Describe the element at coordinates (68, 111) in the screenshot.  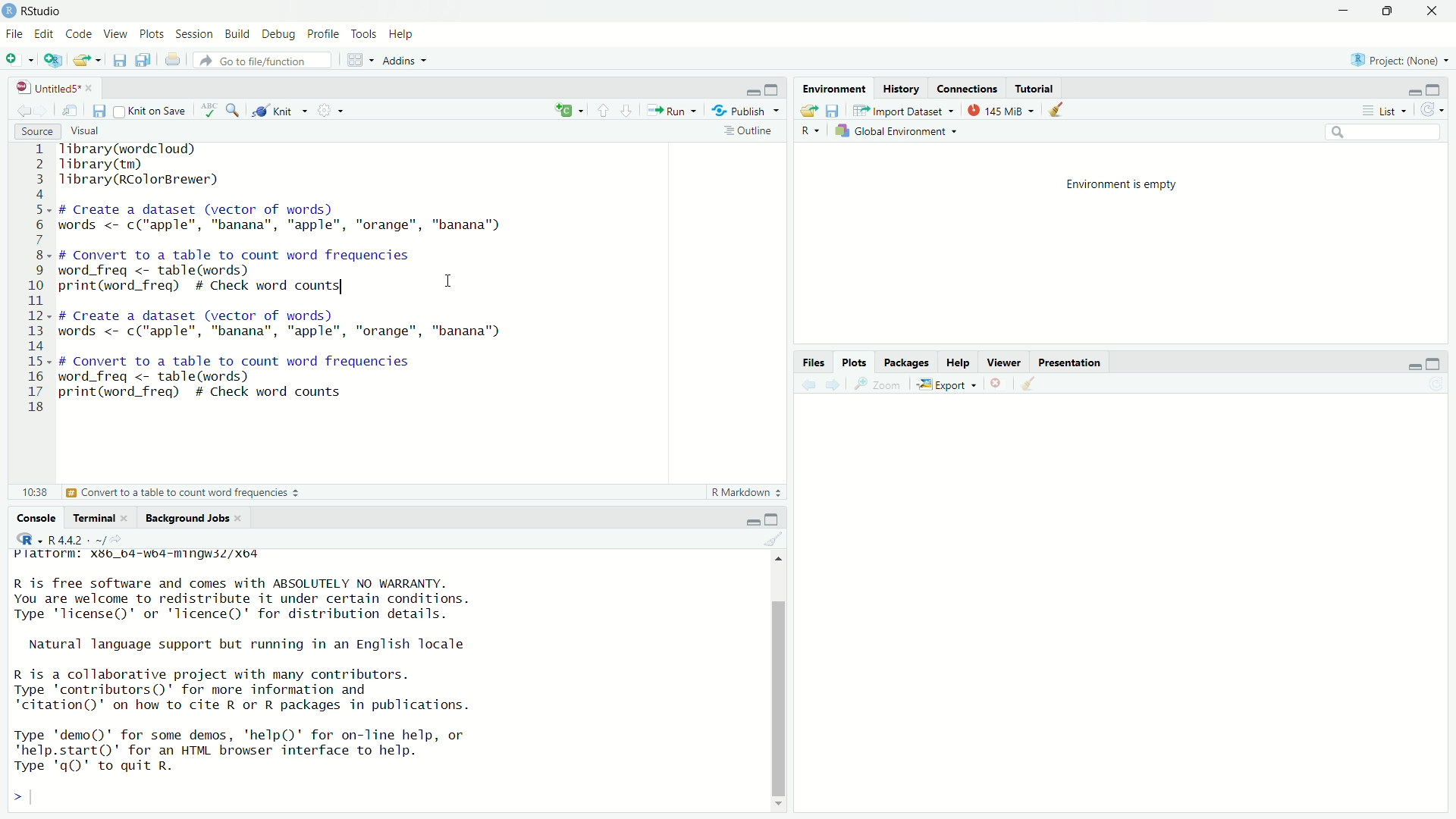
I see `Show in the new window` at that location.